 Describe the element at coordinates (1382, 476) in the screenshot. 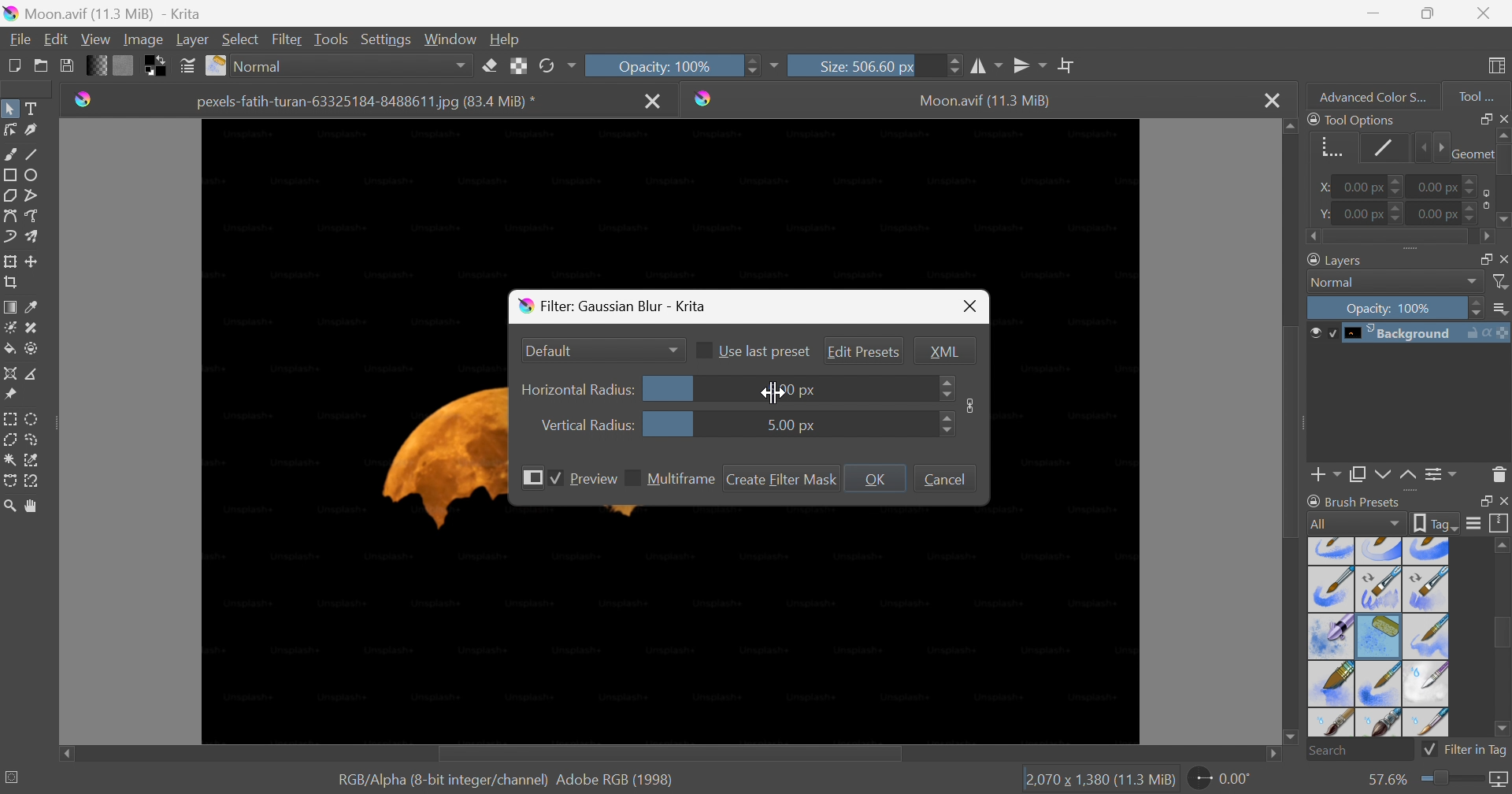

I see `Move layer or mask down` at that location.